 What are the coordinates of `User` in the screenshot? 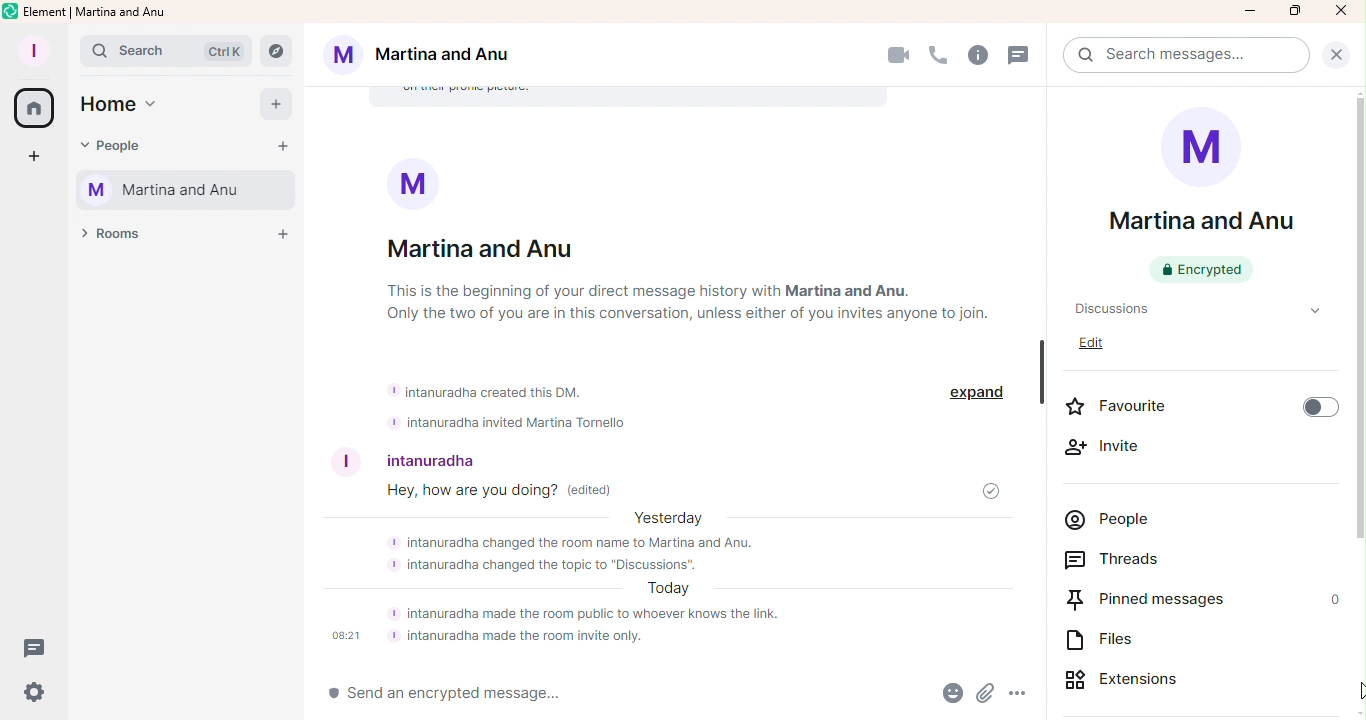 It's located at (403, 455).